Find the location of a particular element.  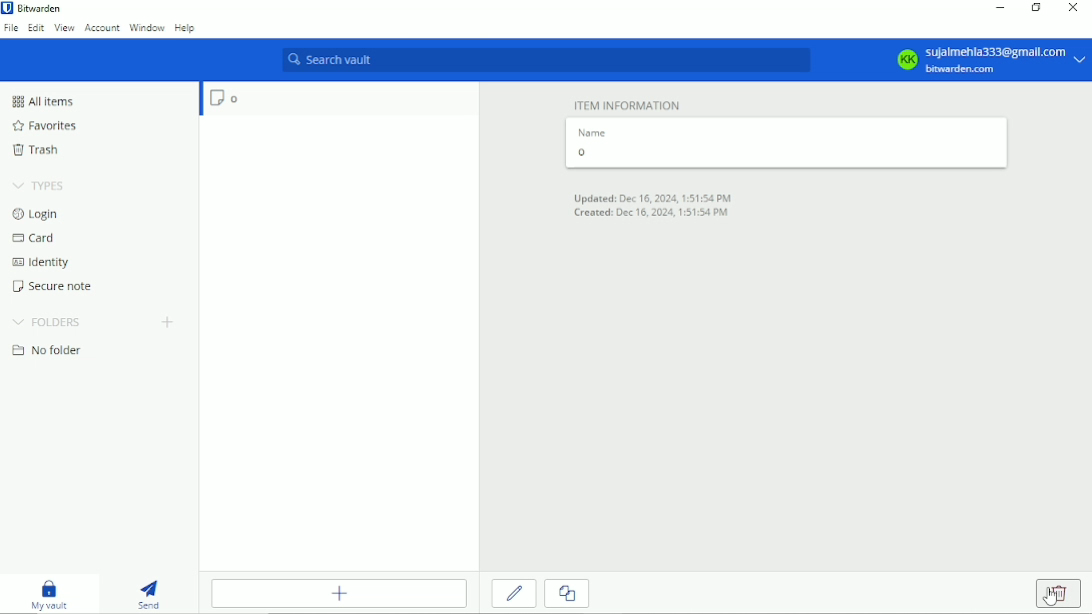

Send is located at coordinates (147, 594).